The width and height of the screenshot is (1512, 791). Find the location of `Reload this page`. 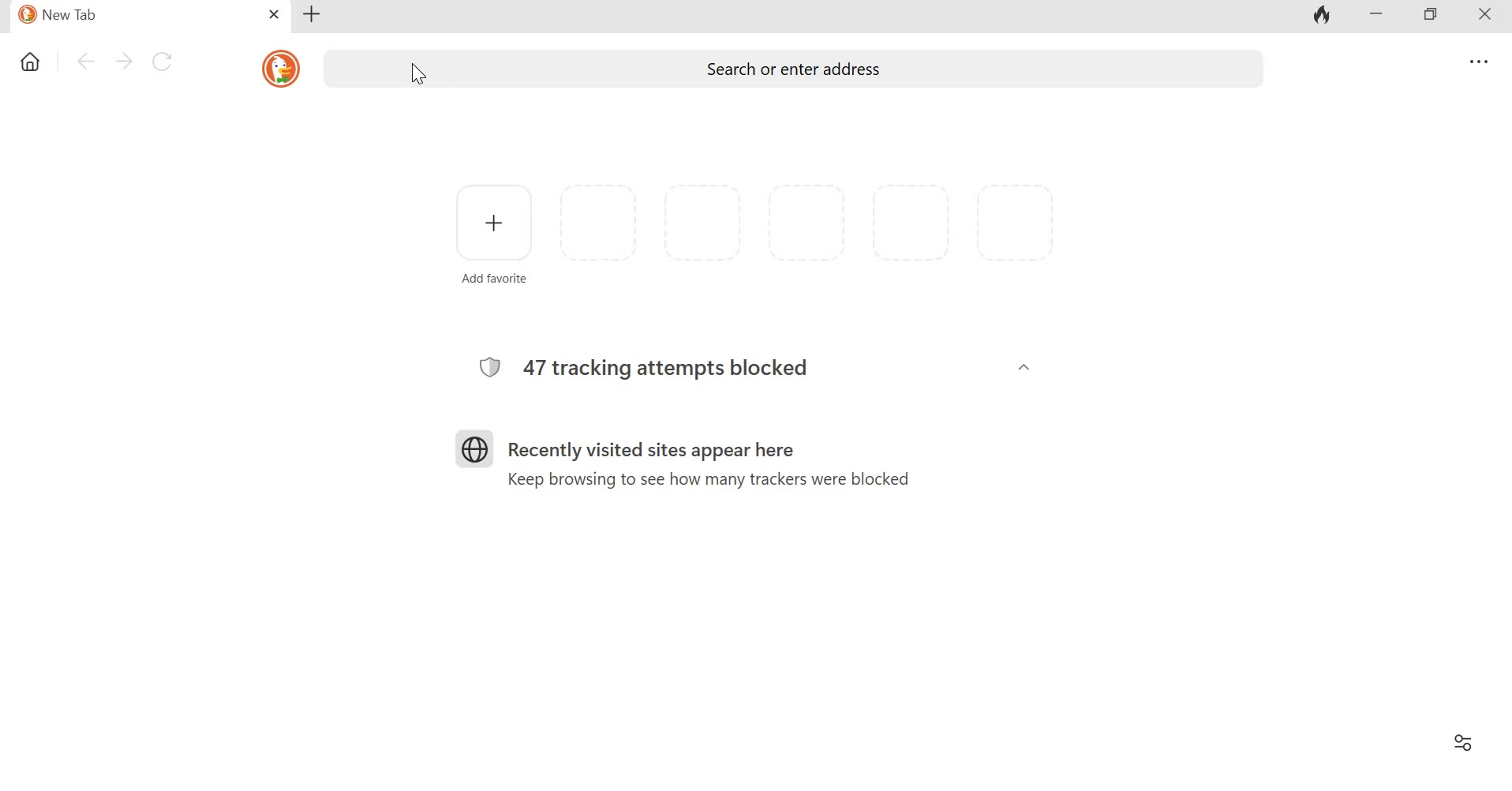

Reload this page is located at coordinates (161, 62).